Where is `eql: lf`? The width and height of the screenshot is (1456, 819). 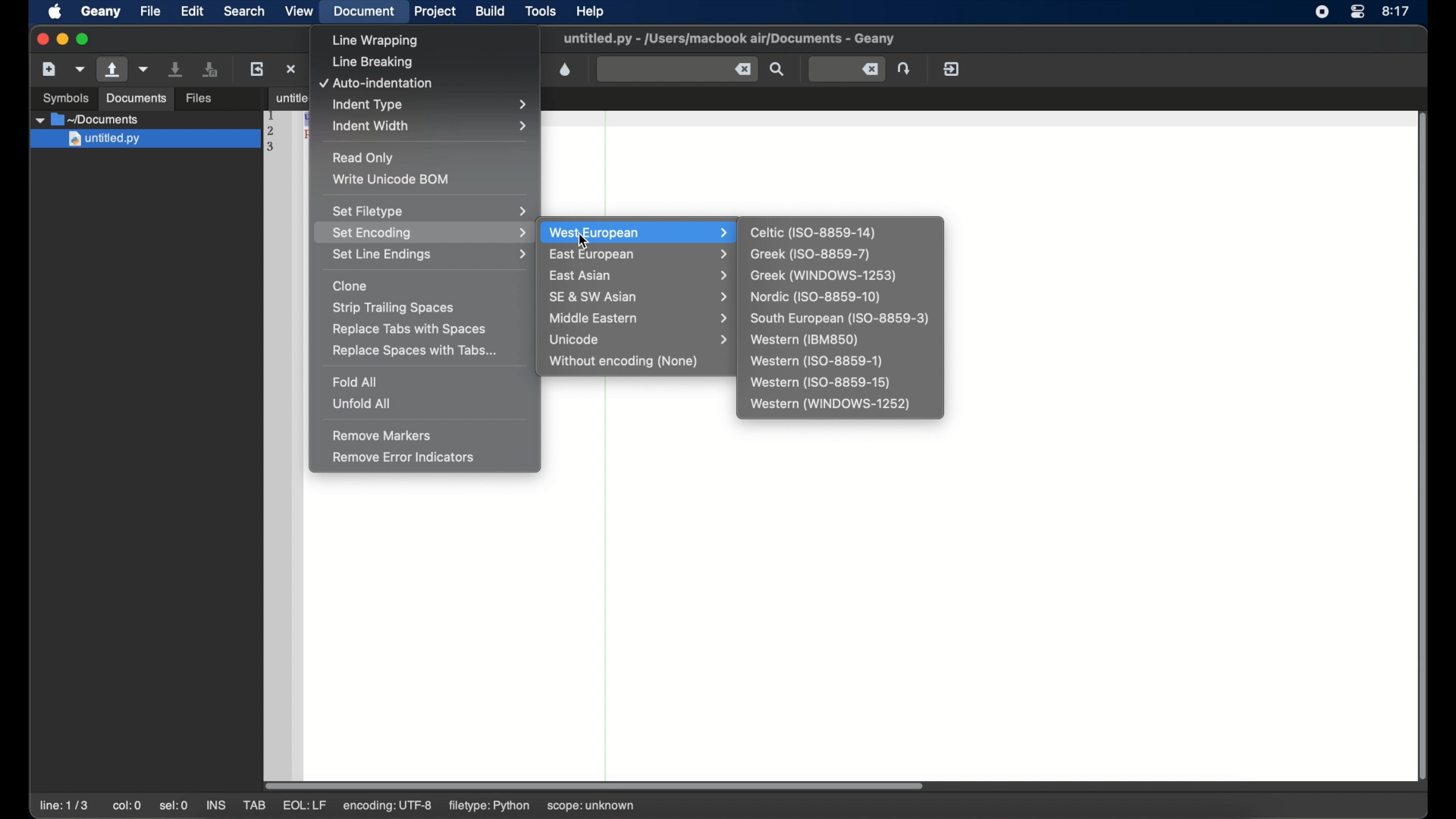
eql: lf is located at coordinates (388, 805).